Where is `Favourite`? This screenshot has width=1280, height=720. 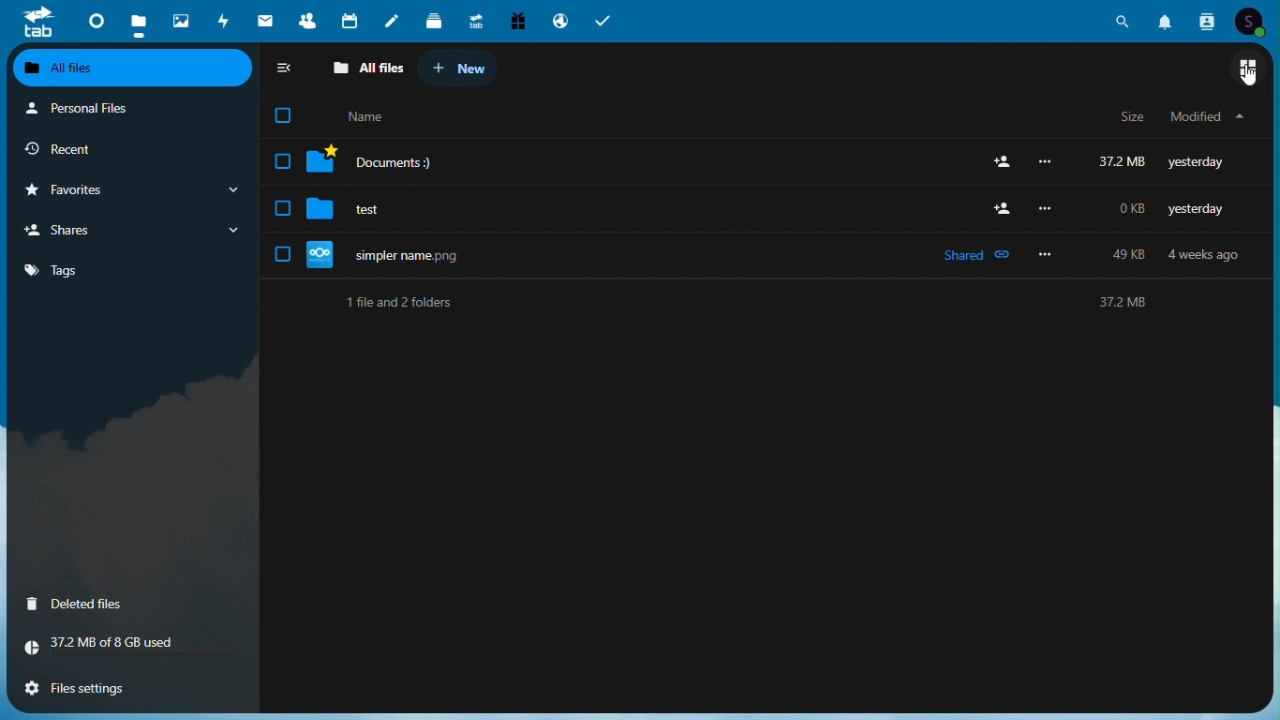 Favourite is located at coordinates (134, 190).